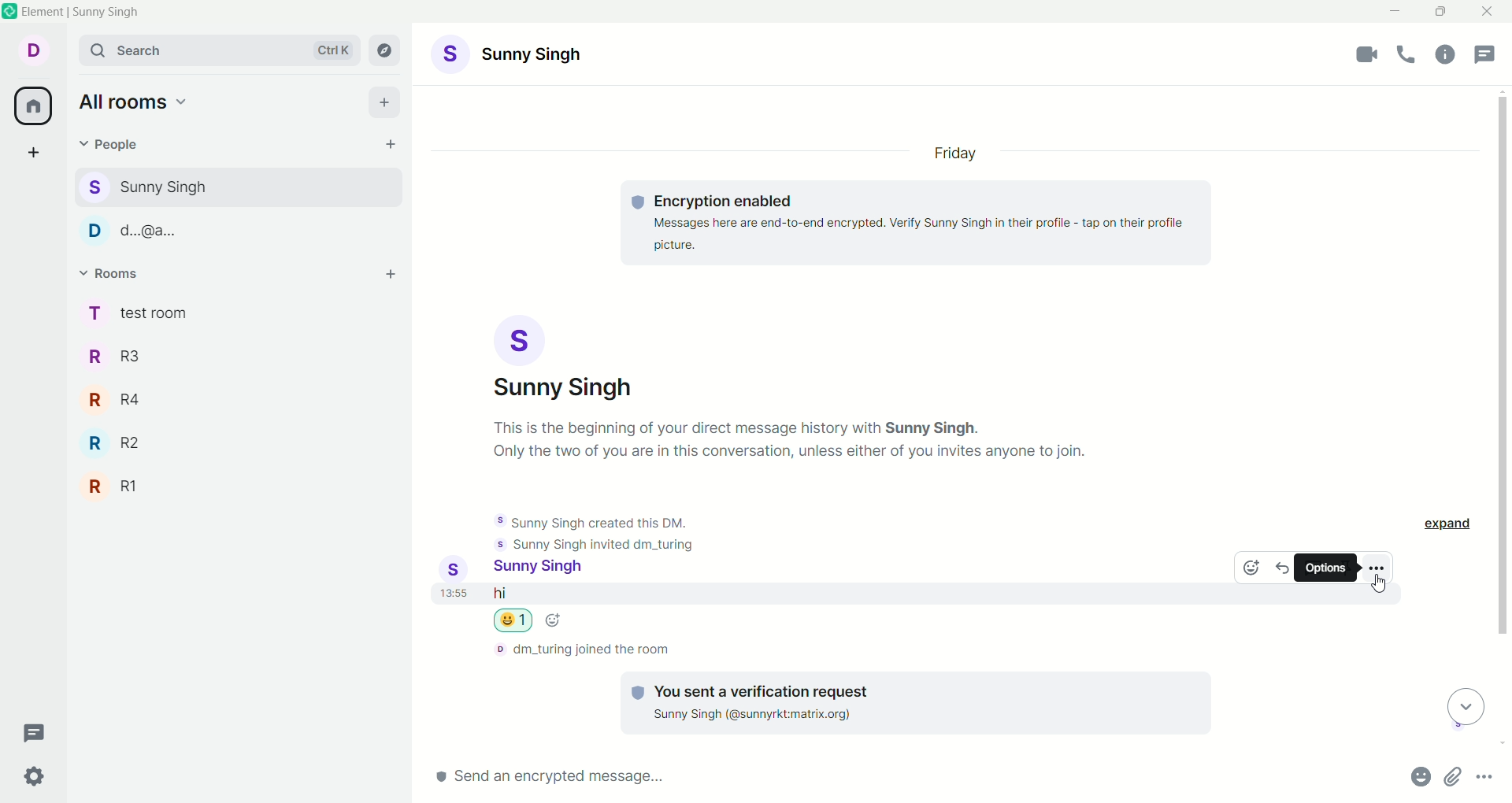 Image resolution: width=1512 pixels, height=803 pixels. Describe the element at coordinates (1414, 779) in the screenshot. I see `emojis` at that location.